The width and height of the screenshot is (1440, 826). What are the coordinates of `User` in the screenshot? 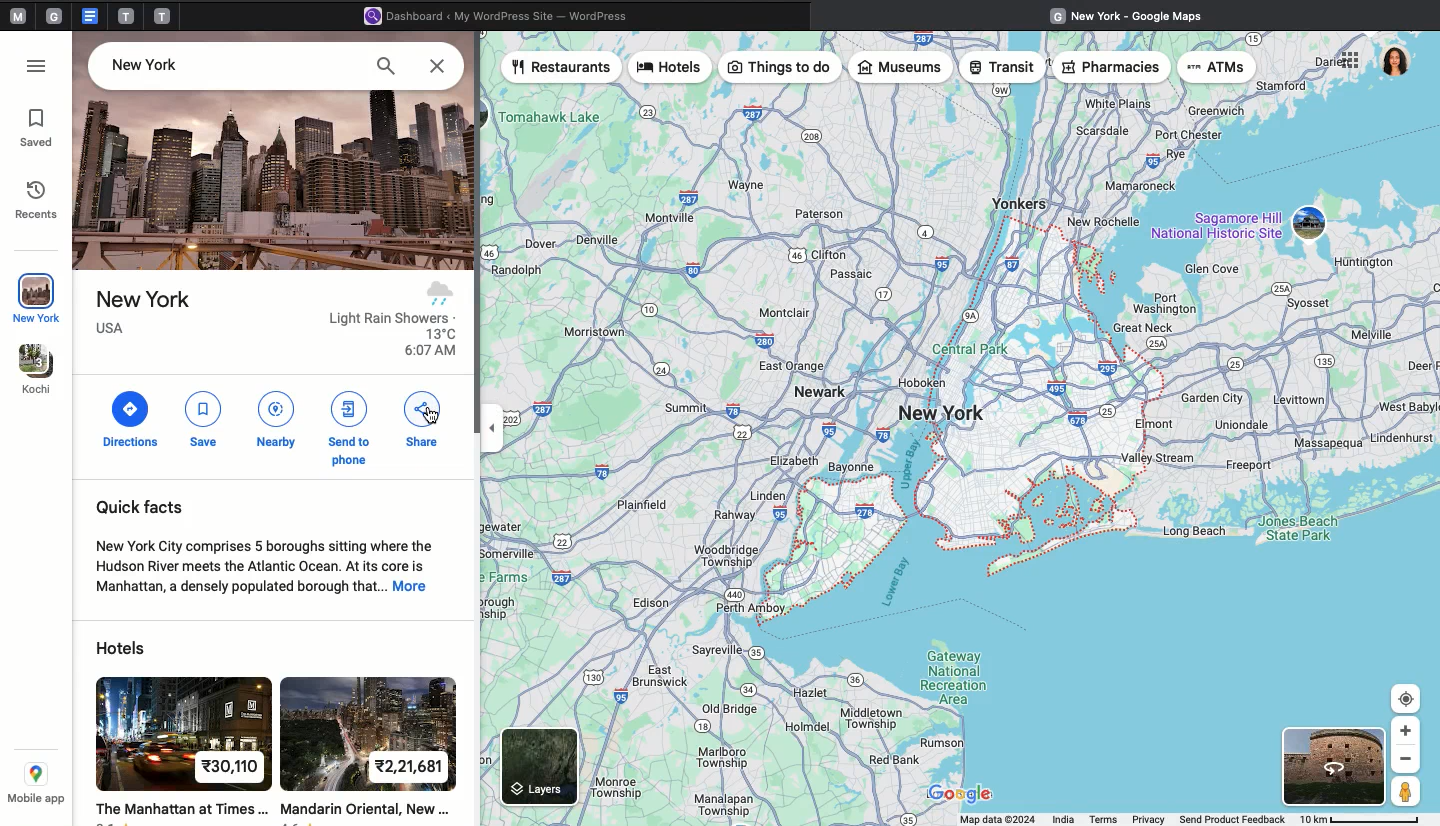 It's located at (1395, 62).